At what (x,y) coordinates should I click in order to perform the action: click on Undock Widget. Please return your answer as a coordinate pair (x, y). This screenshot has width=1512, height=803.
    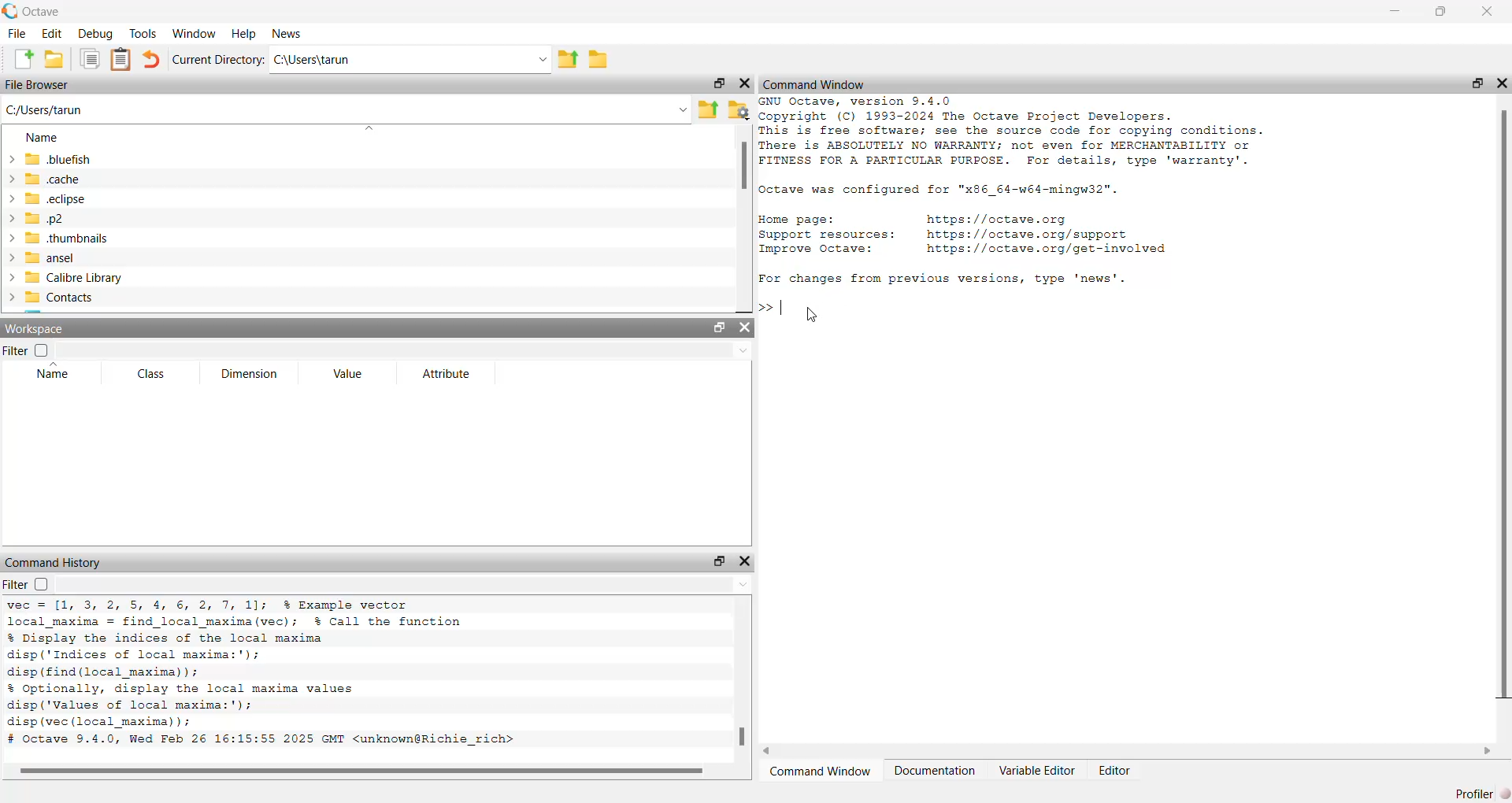
    Looking at the image, I should click on (719, 562).